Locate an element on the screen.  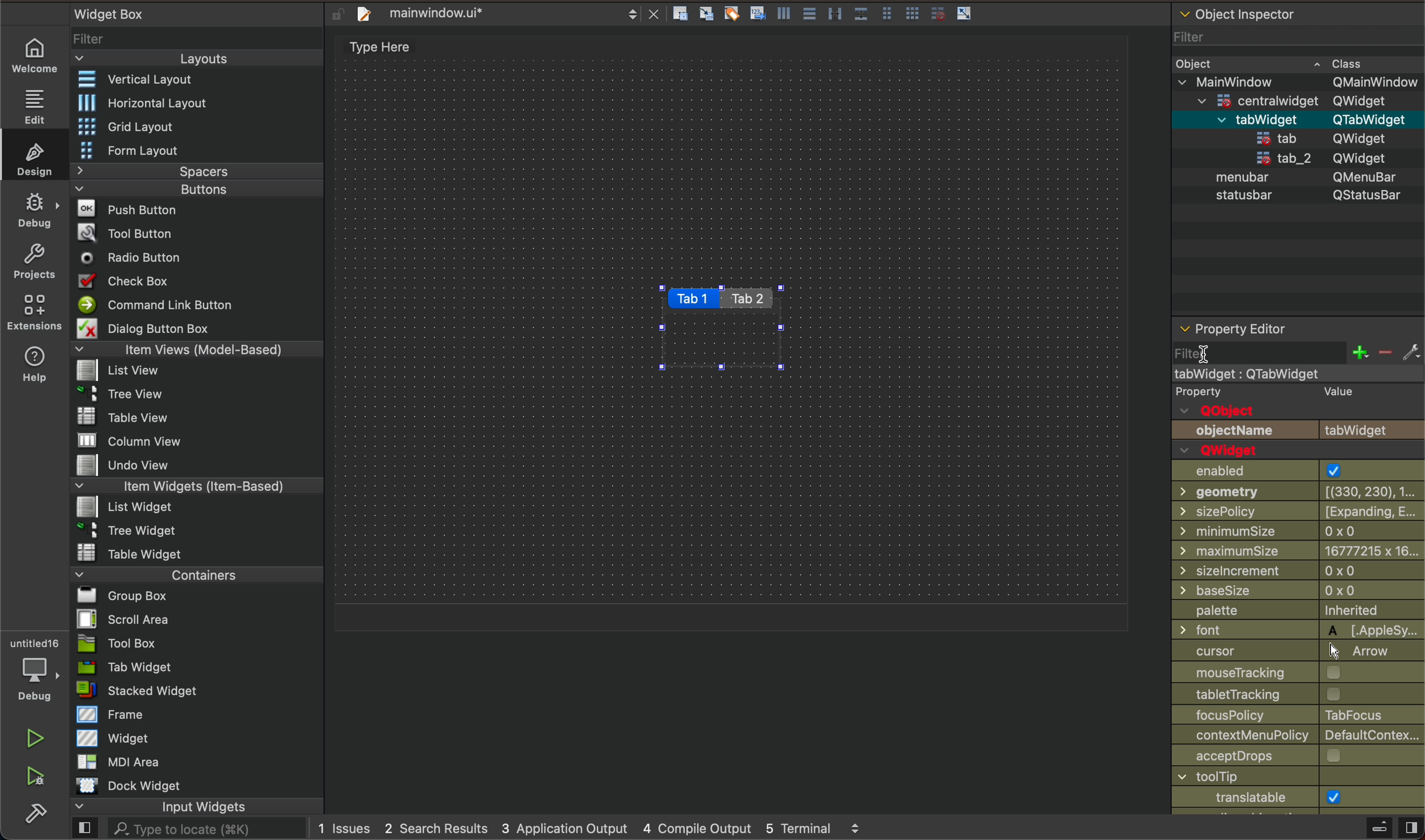
v MainWindow OMainWindow is located at coordinates (1299, 80).